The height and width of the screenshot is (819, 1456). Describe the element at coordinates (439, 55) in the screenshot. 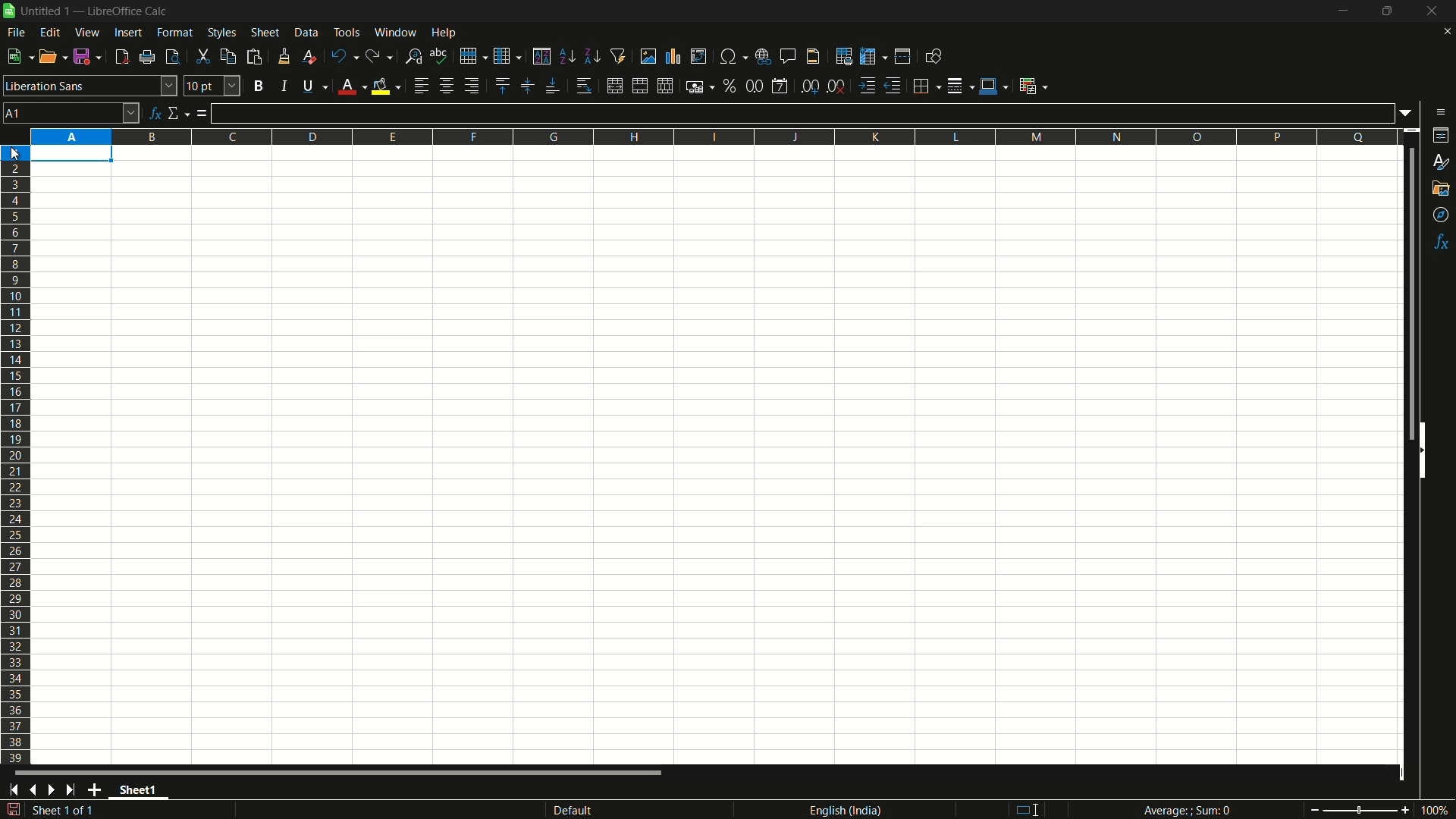

I see `spelling` at that location.